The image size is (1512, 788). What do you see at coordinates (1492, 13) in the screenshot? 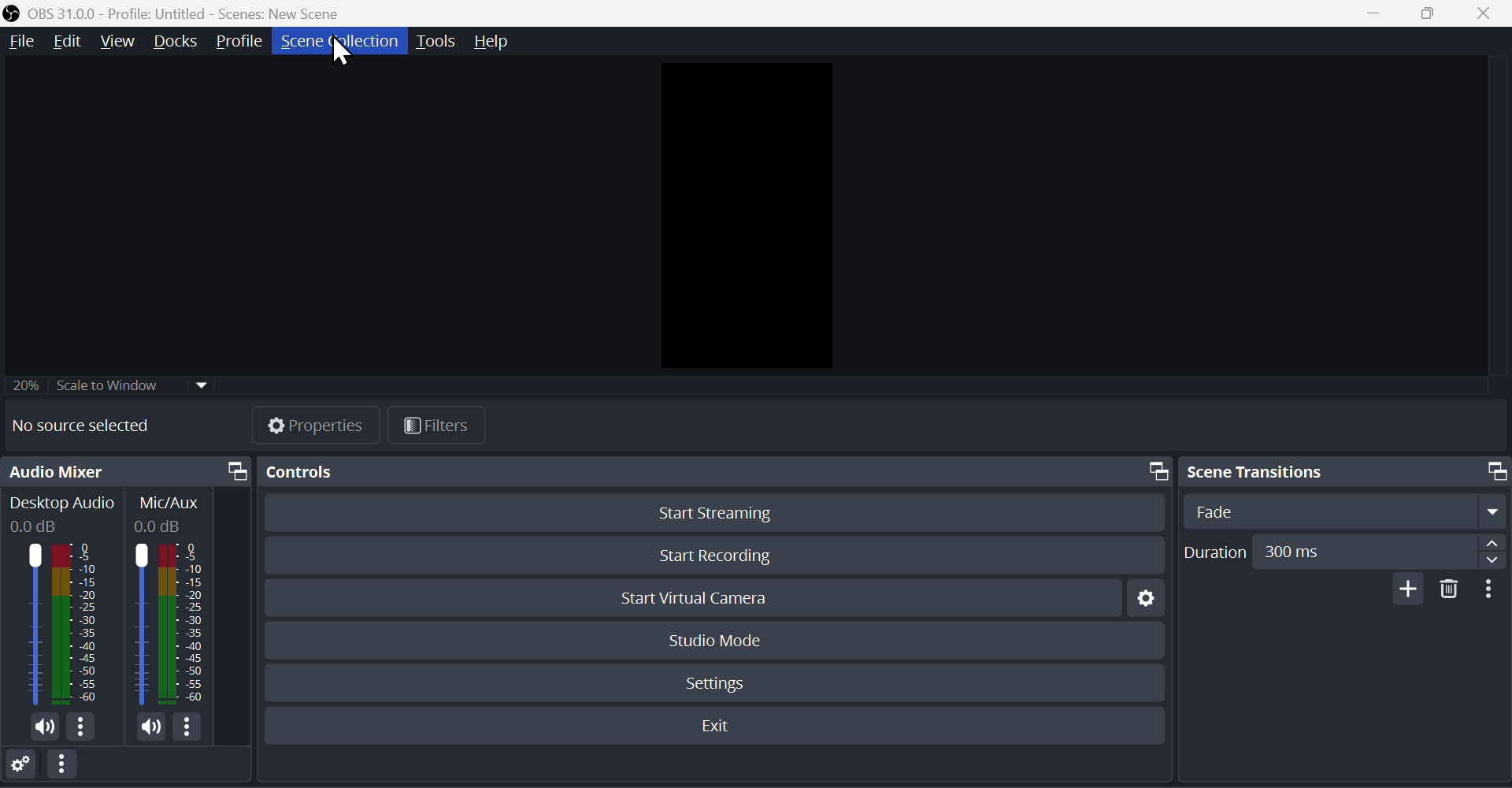
I see `Close` at bounding box center [1492, 13].